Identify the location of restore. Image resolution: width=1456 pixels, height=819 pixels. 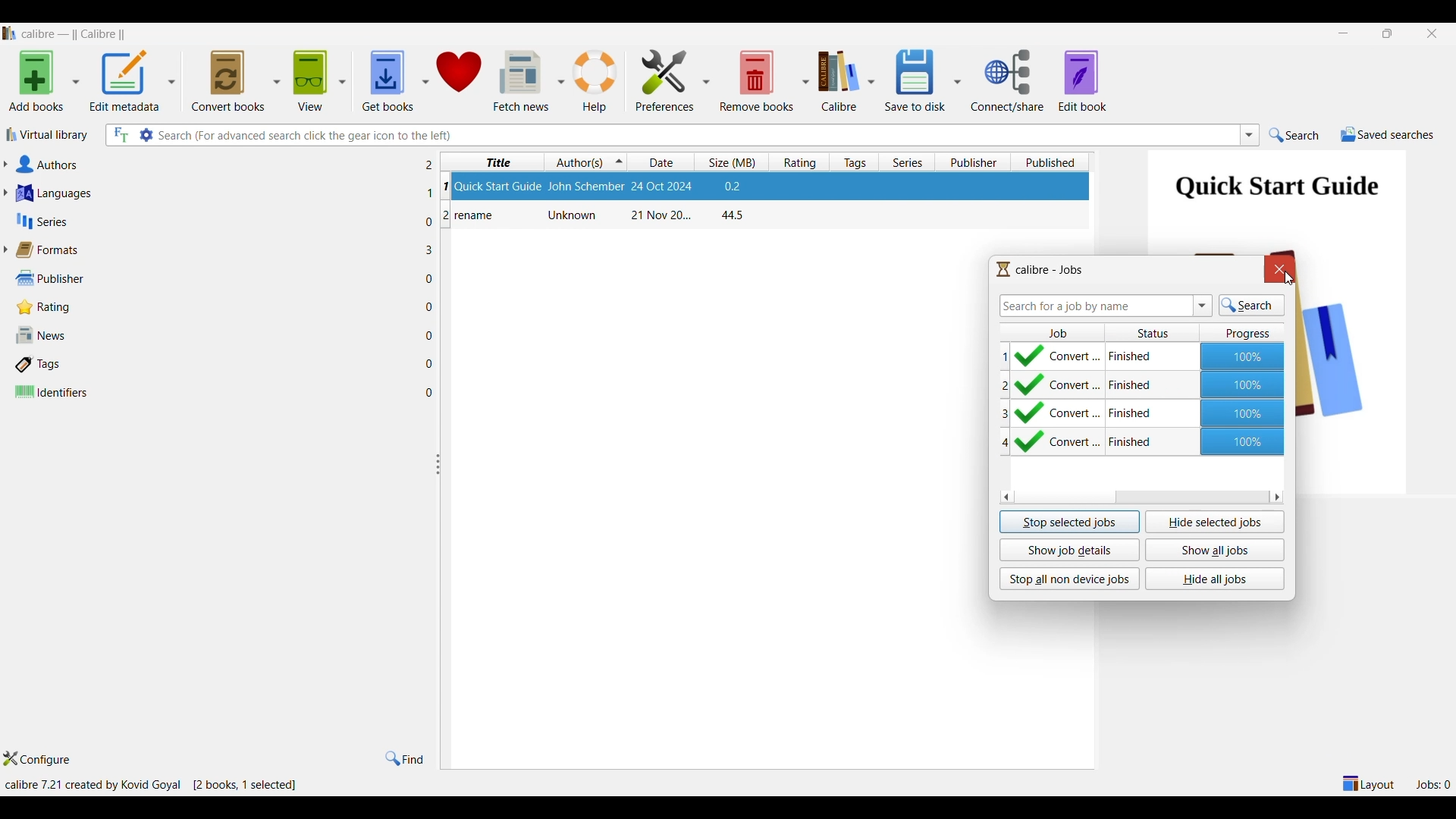
(1388, 33).